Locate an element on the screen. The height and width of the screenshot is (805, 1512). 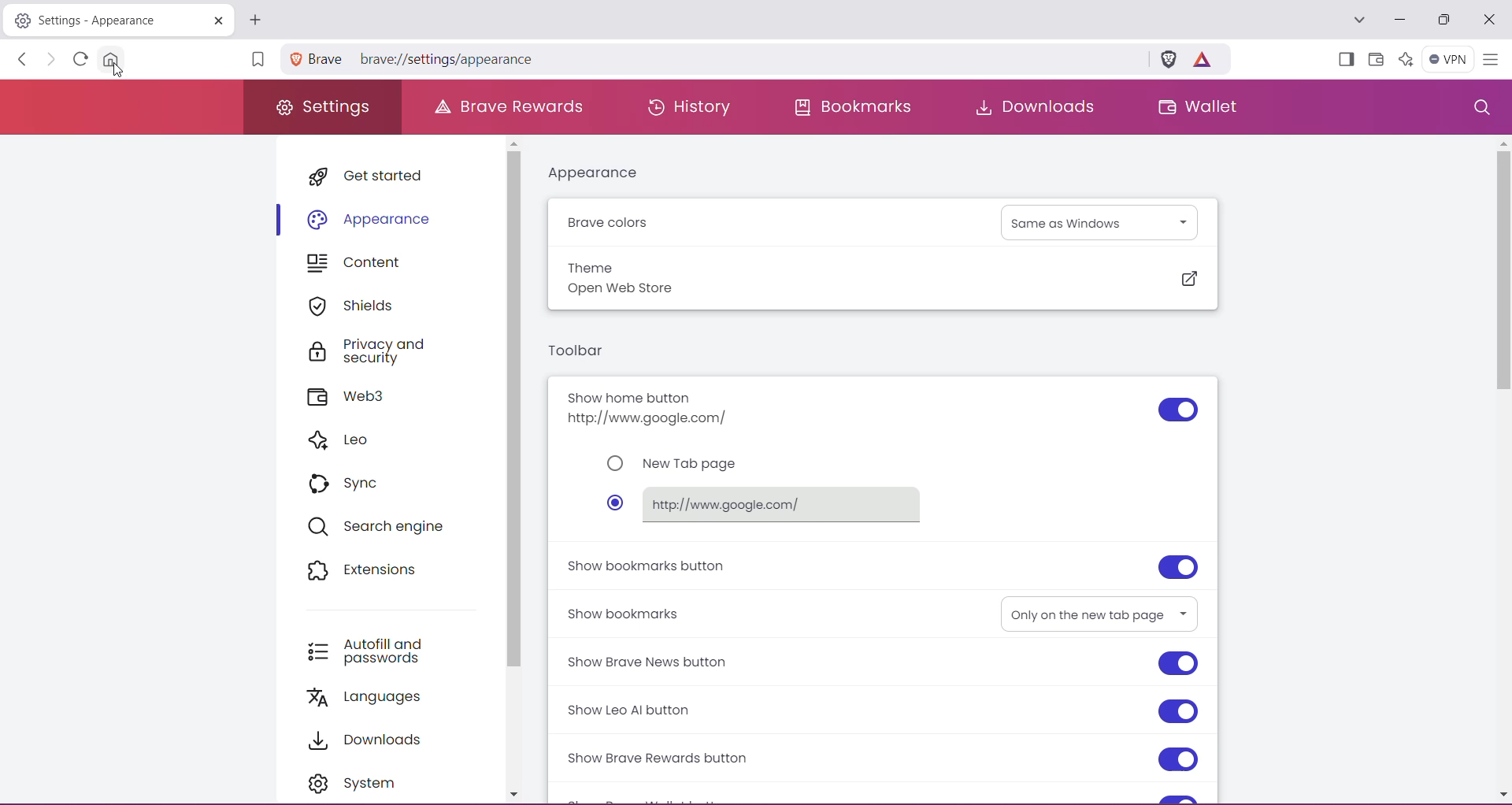
Wallet is located at coordinates (1196, 109).